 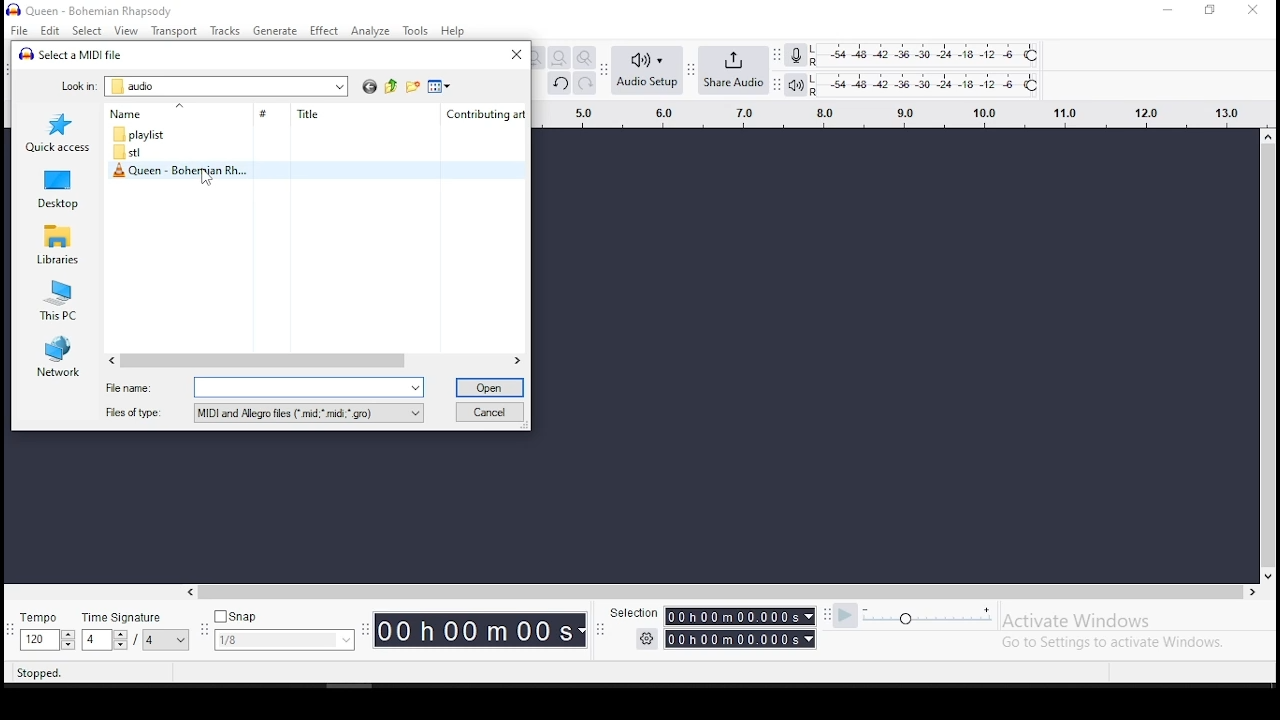 I want to click on scroll bar, so click(x=1270, y=354).